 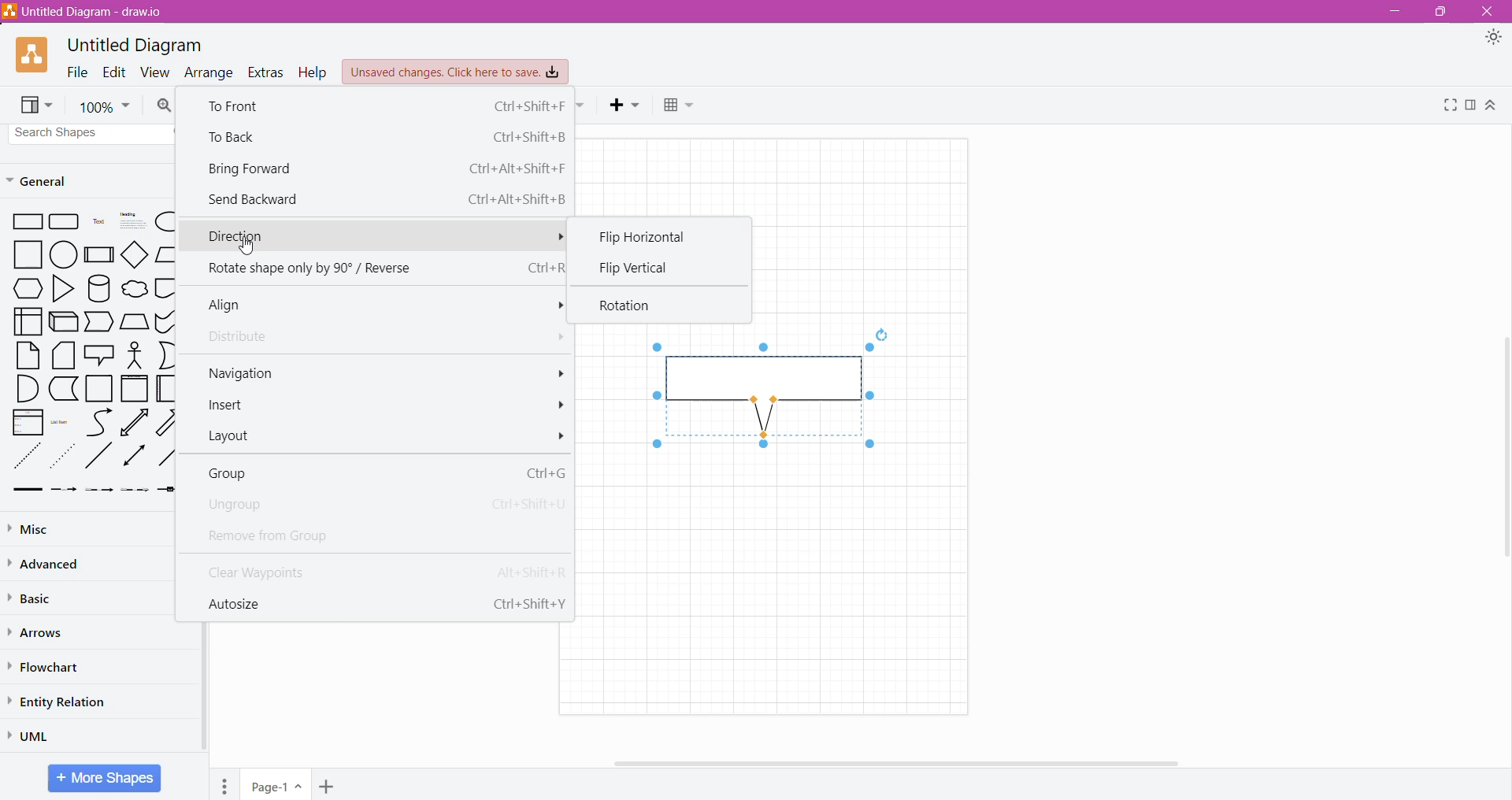 I want to click on Close, so click(x=1489, y=12).